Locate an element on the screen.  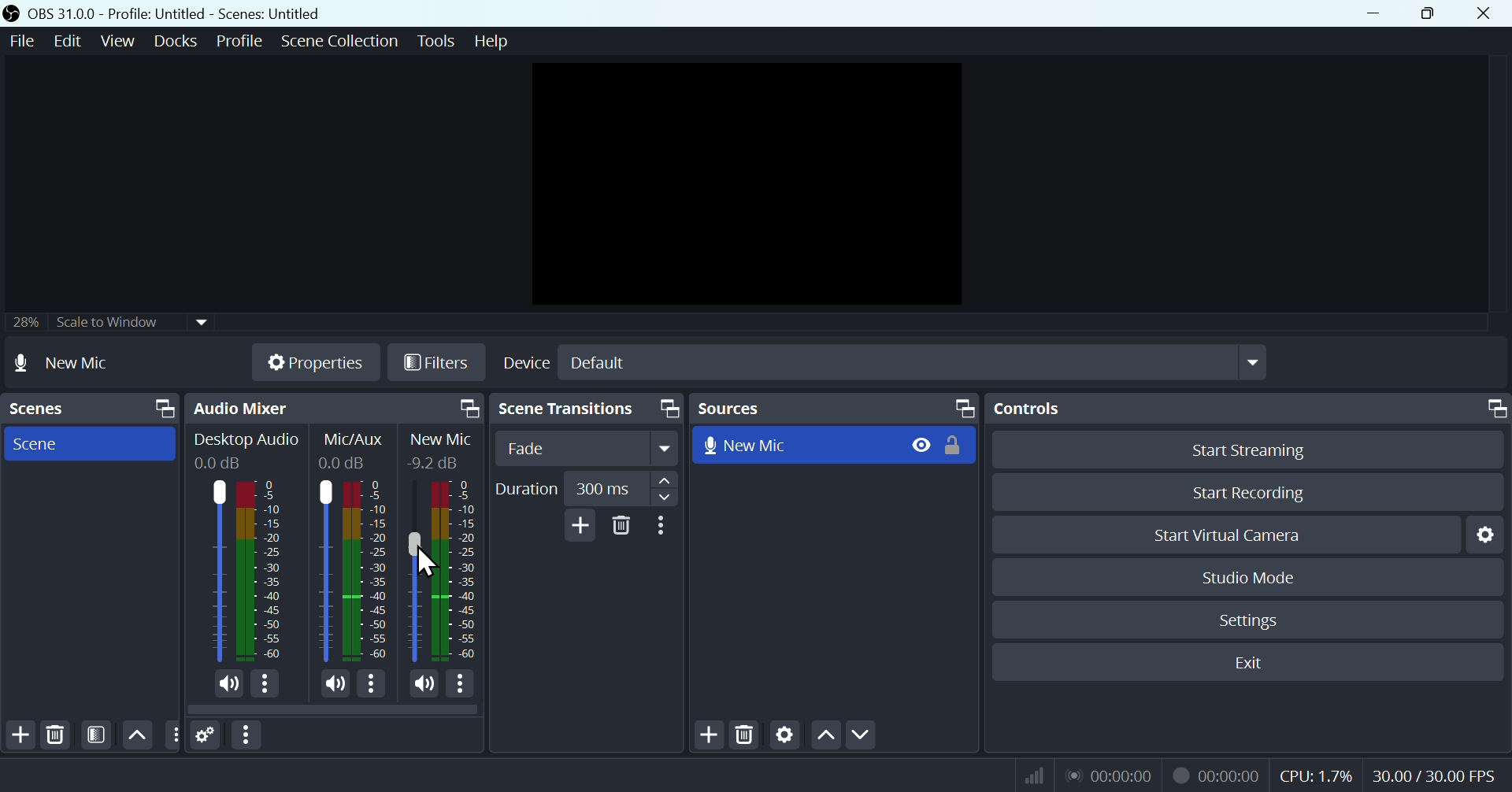
 is located at coordinates (172, 735).